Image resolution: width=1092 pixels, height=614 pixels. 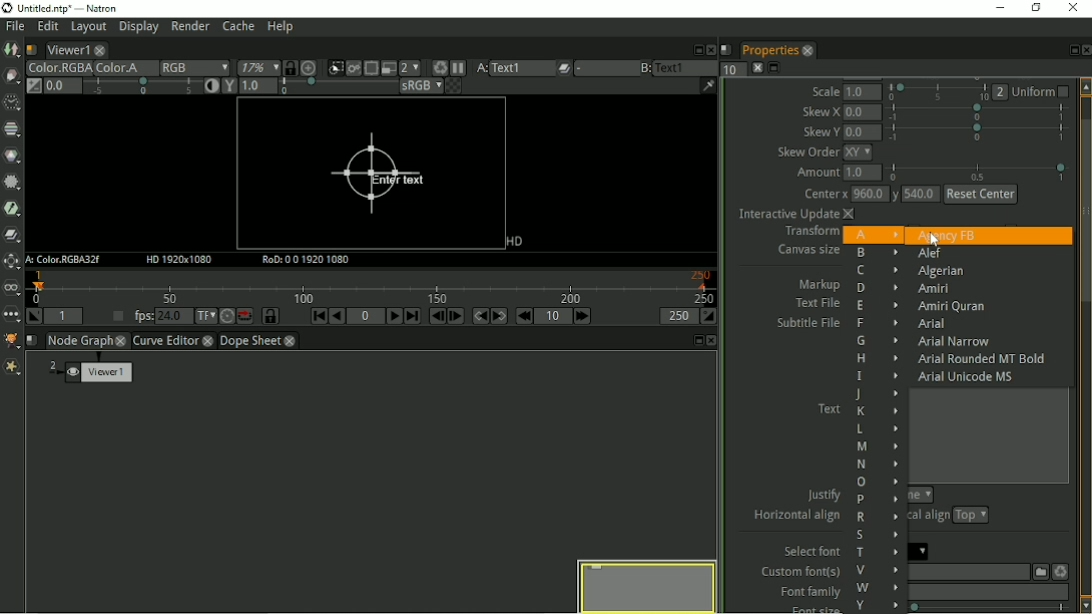 What do you see at coordinates (981, 194) in the screenshot?
I see `Reset Center` at bounding box center [981, 194].